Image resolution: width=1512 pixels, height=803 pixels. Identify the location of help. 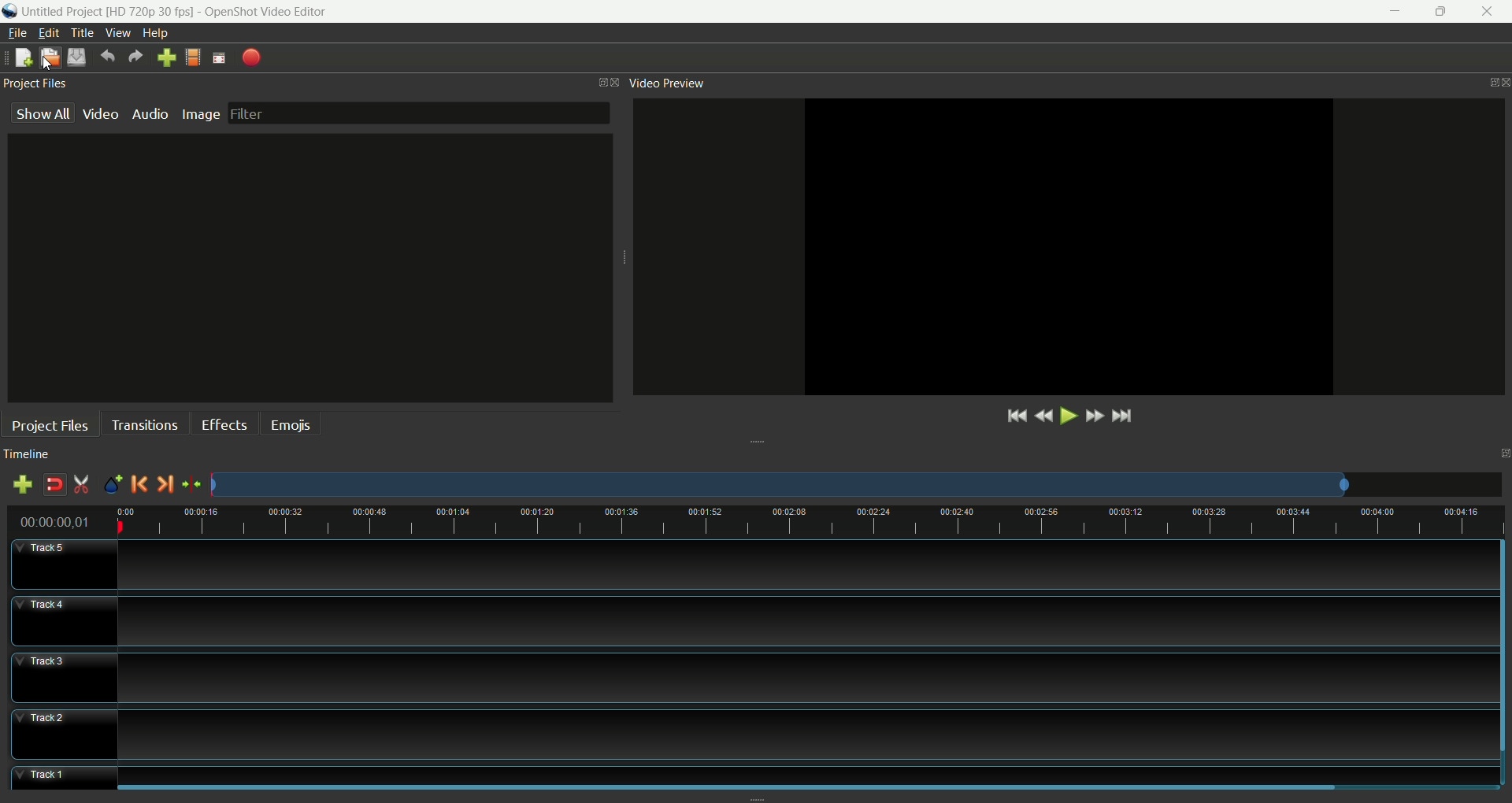
(155, 34).